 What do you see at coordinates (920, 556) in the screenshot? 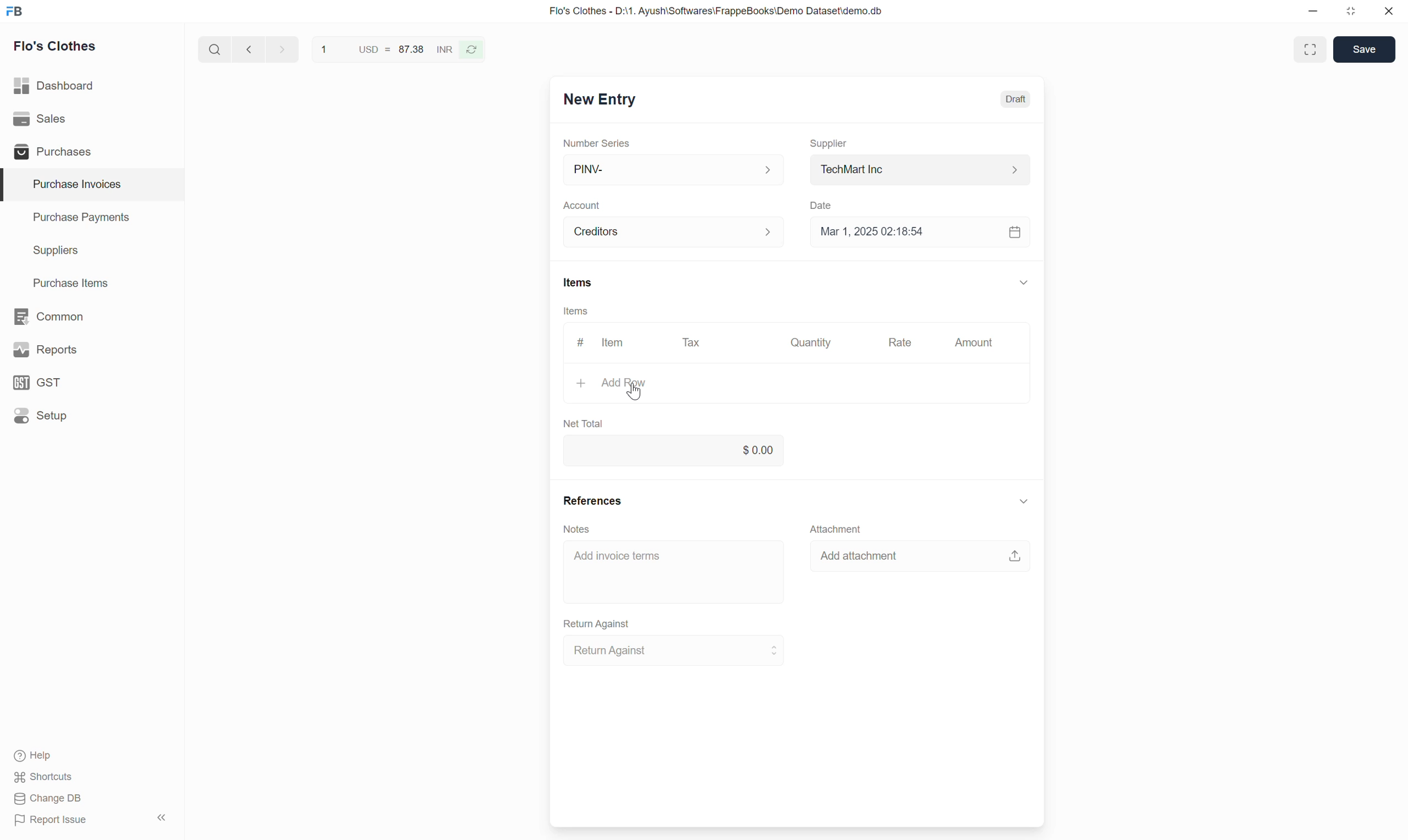
I see `Add attachment` at bounding box center [920, 556].